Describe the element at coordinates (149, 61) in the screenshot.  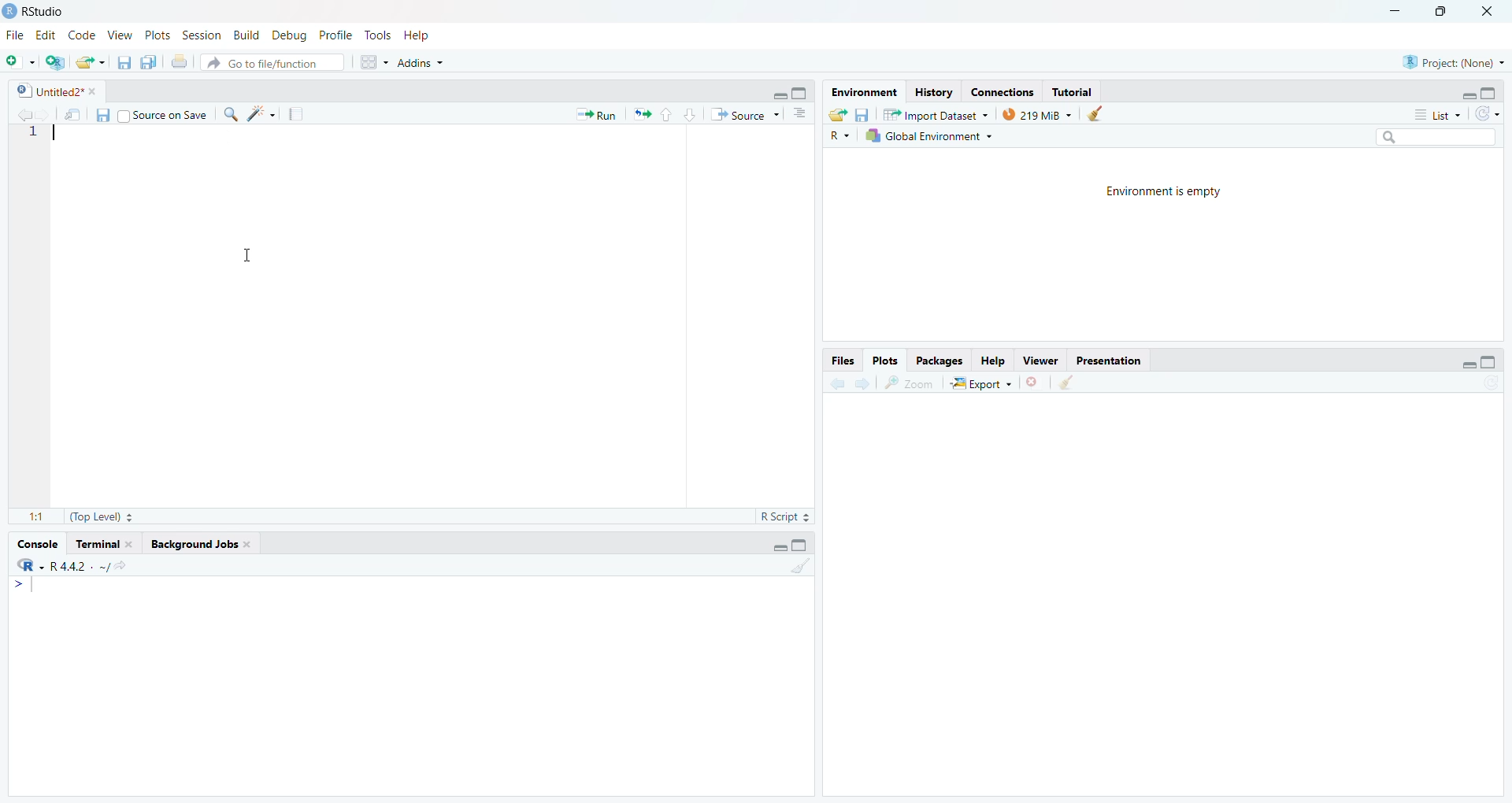
I see `Save all open files` at that location.